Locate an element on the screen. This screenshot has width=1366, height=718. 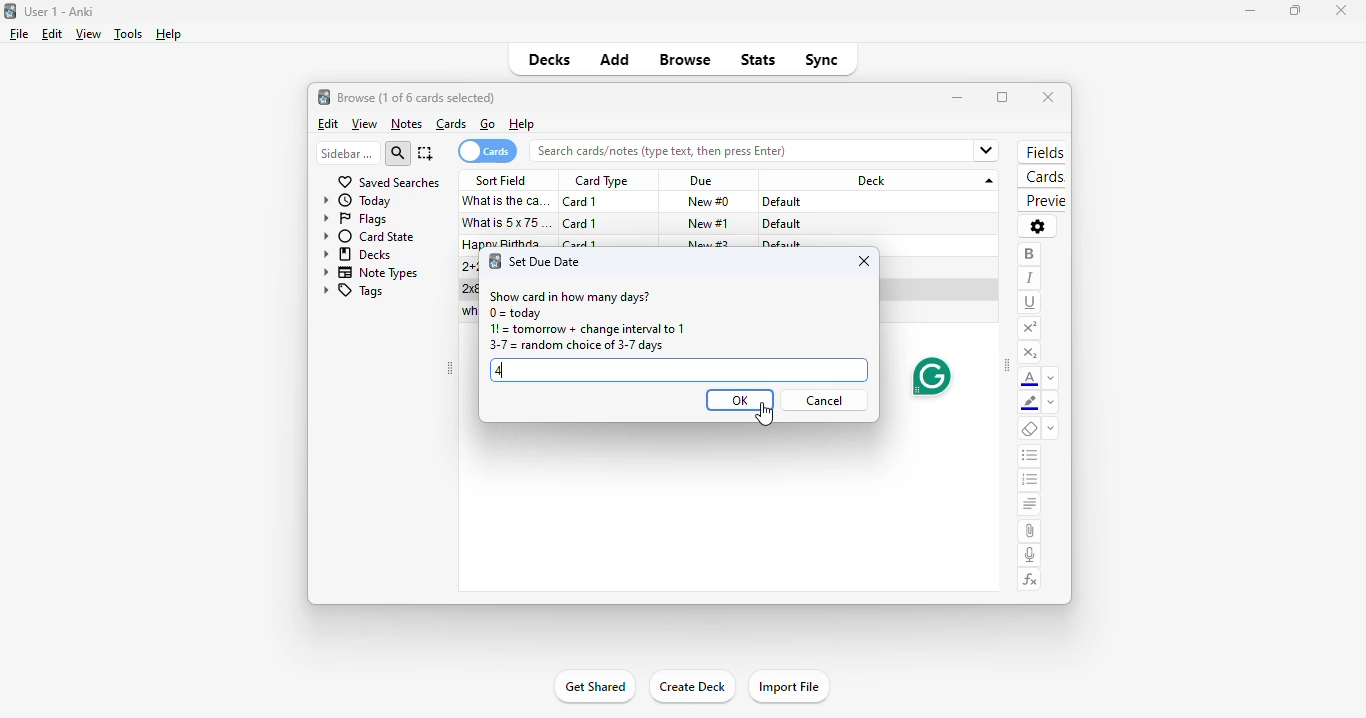
change color is located at coordinates (1051, 378).